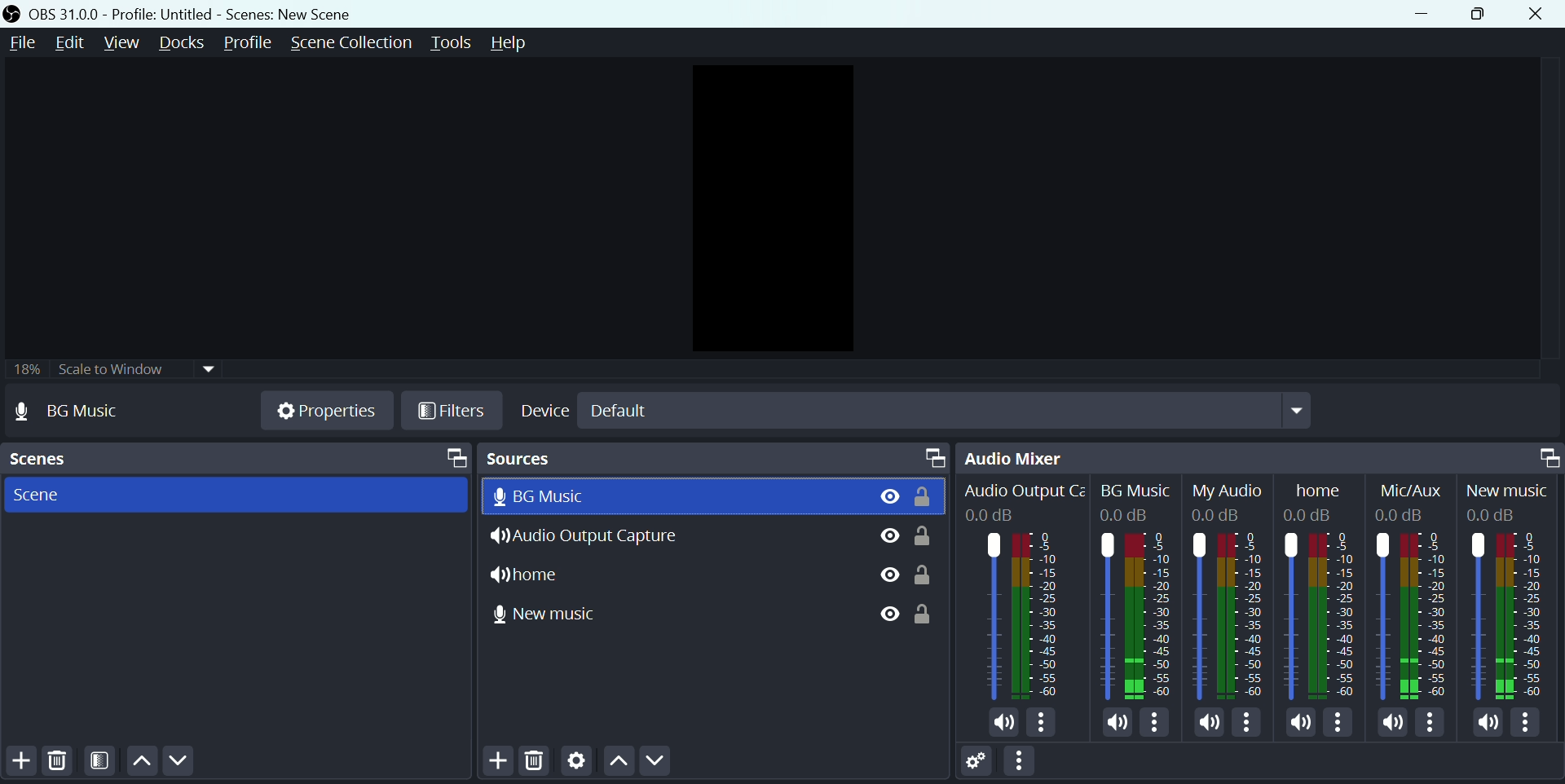 The height and width of the screenshot is (784, 1565). I want to click on Profile, so click(249, 40).